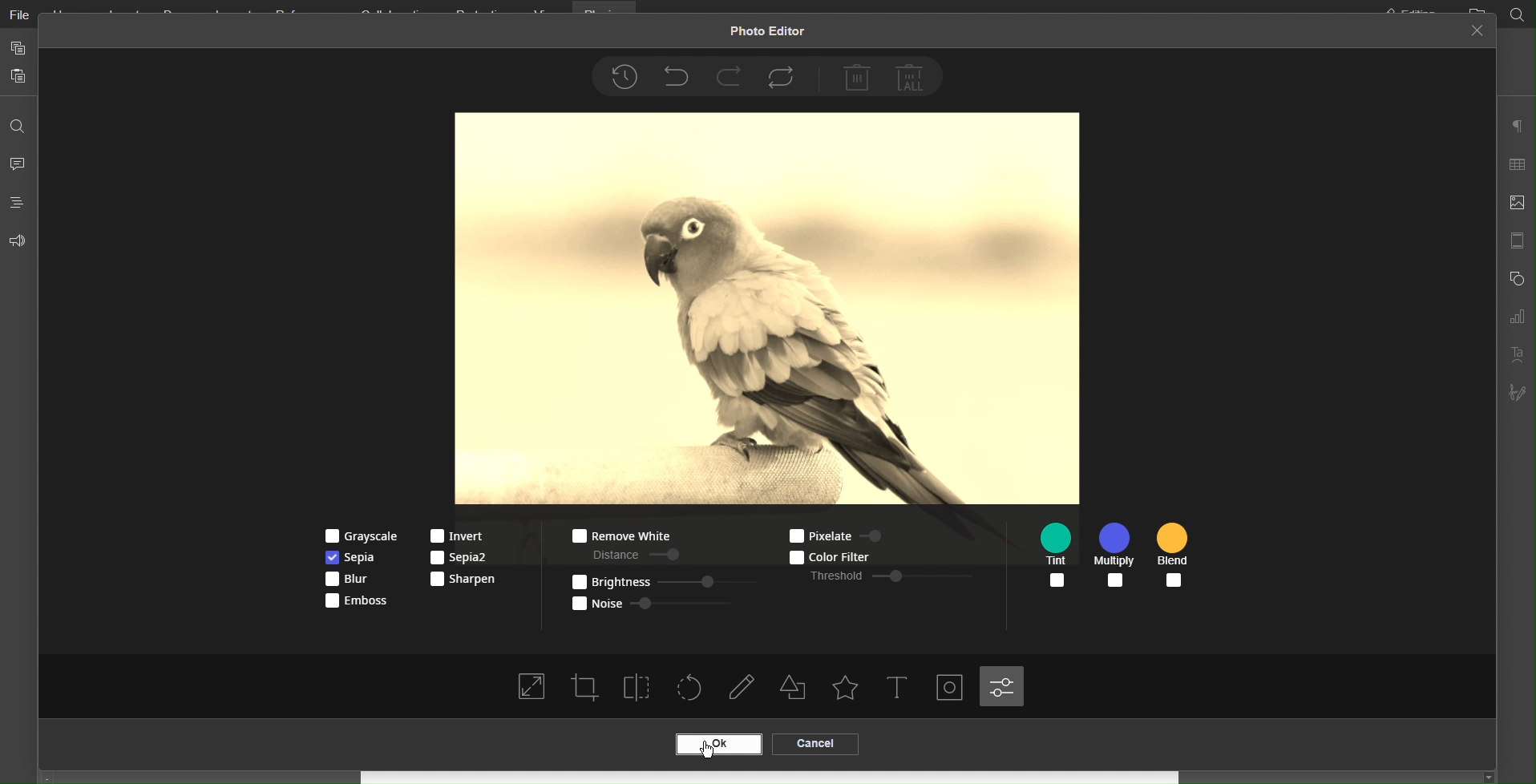 This screenshot has height=784, width=1536. Describe the element at coordinates (1515, 279) in the screenshot. I see `Shape Settings` at that location.